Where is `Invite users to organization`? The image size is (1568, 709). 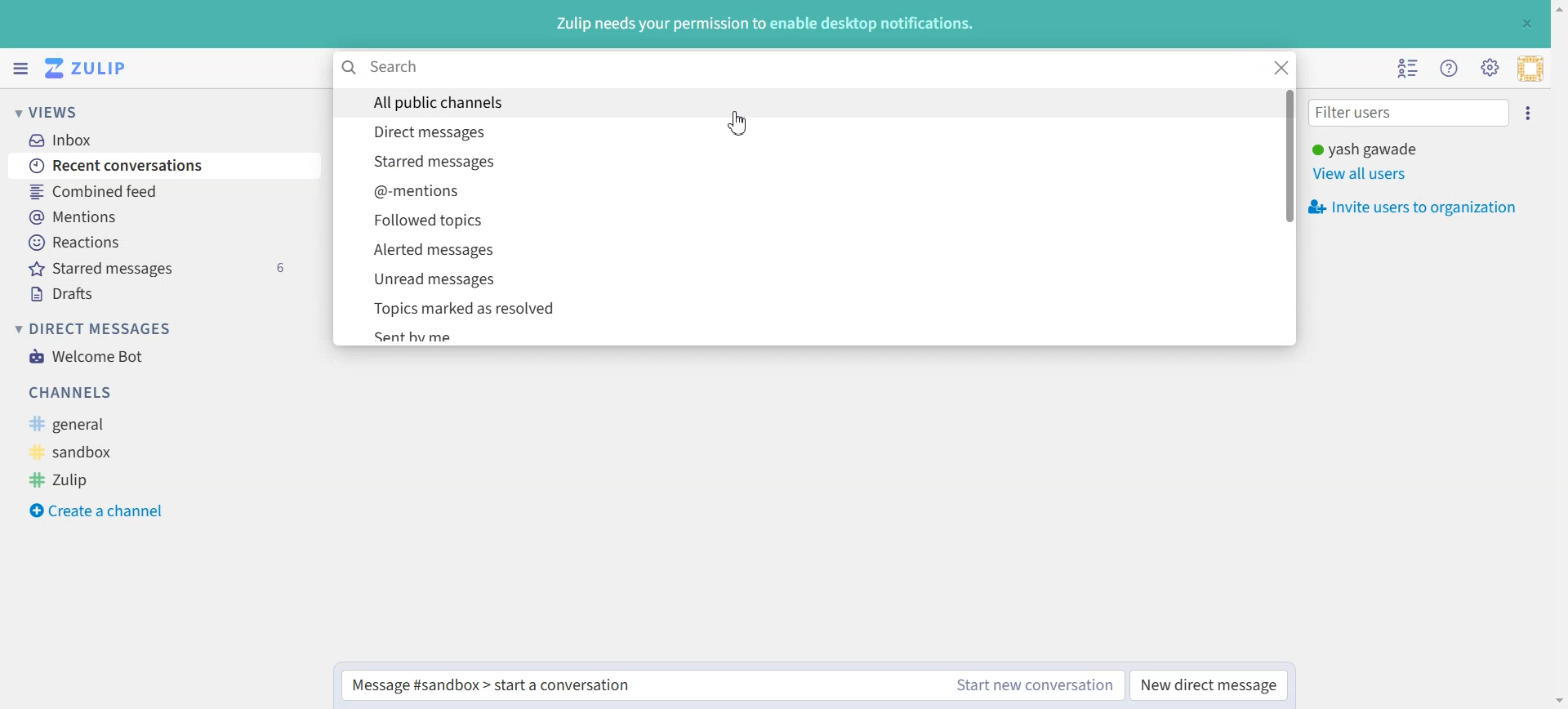
Invite users to organization is located at coordinates (1417, 207).